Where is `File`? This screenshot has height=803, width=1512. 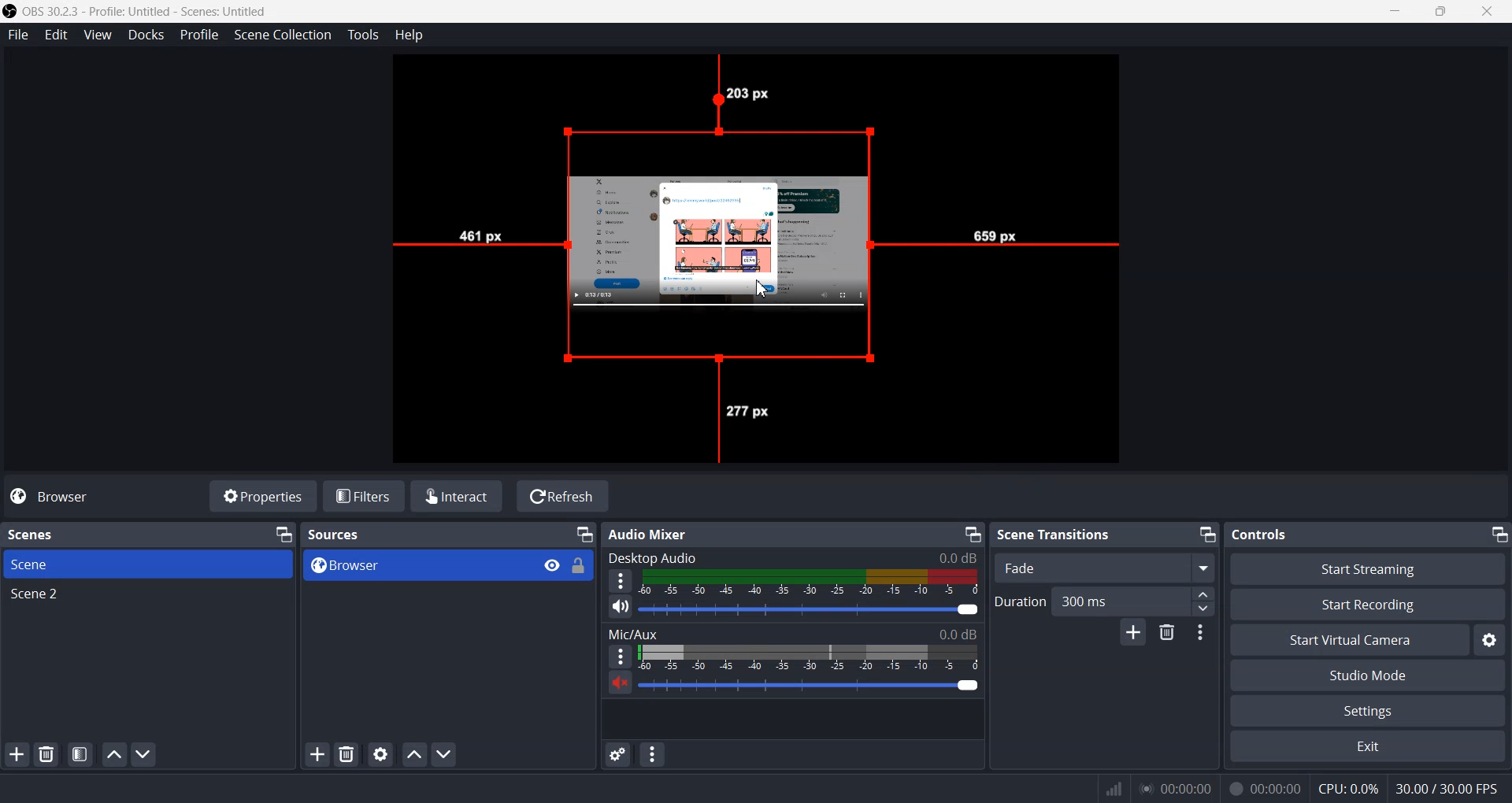
File is located at coordinates (18, 35).